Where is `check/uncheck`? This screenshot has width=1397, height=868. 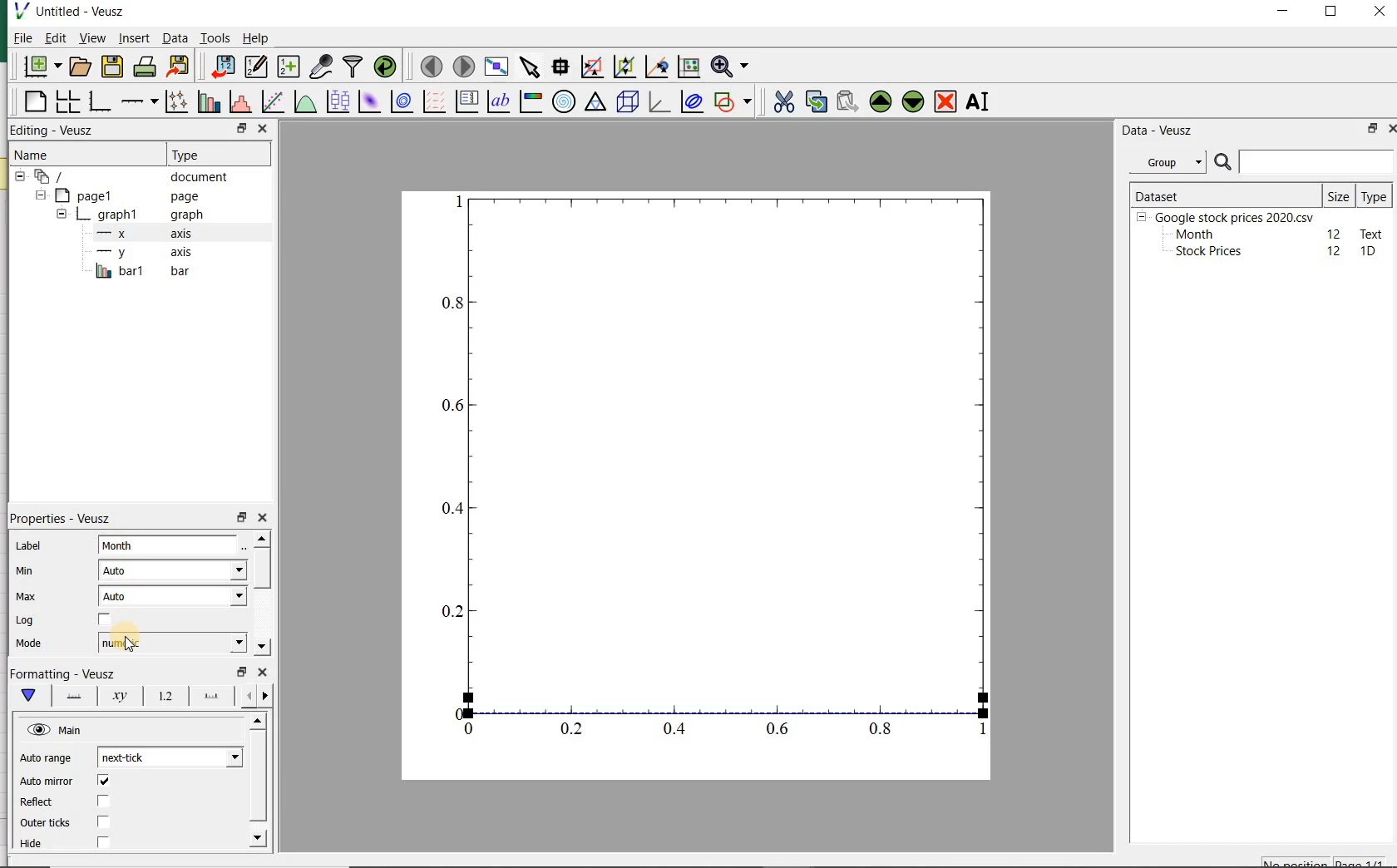 check/uncheck is located at coordinates (103, 782).